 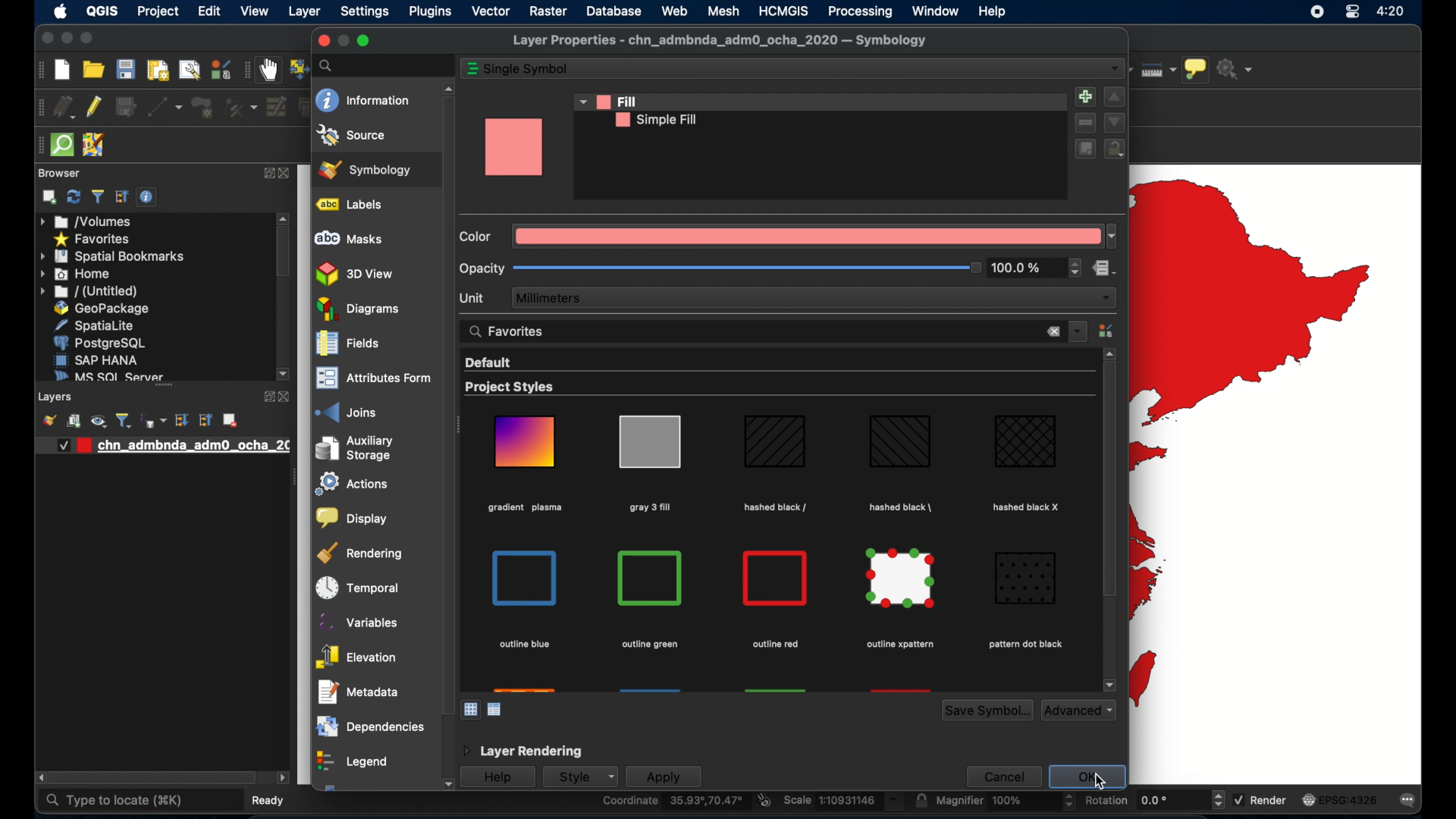 What do you see at coordinates (723, 11) in the screenshot?
I see `mesh` at bounding box center [723, 11].